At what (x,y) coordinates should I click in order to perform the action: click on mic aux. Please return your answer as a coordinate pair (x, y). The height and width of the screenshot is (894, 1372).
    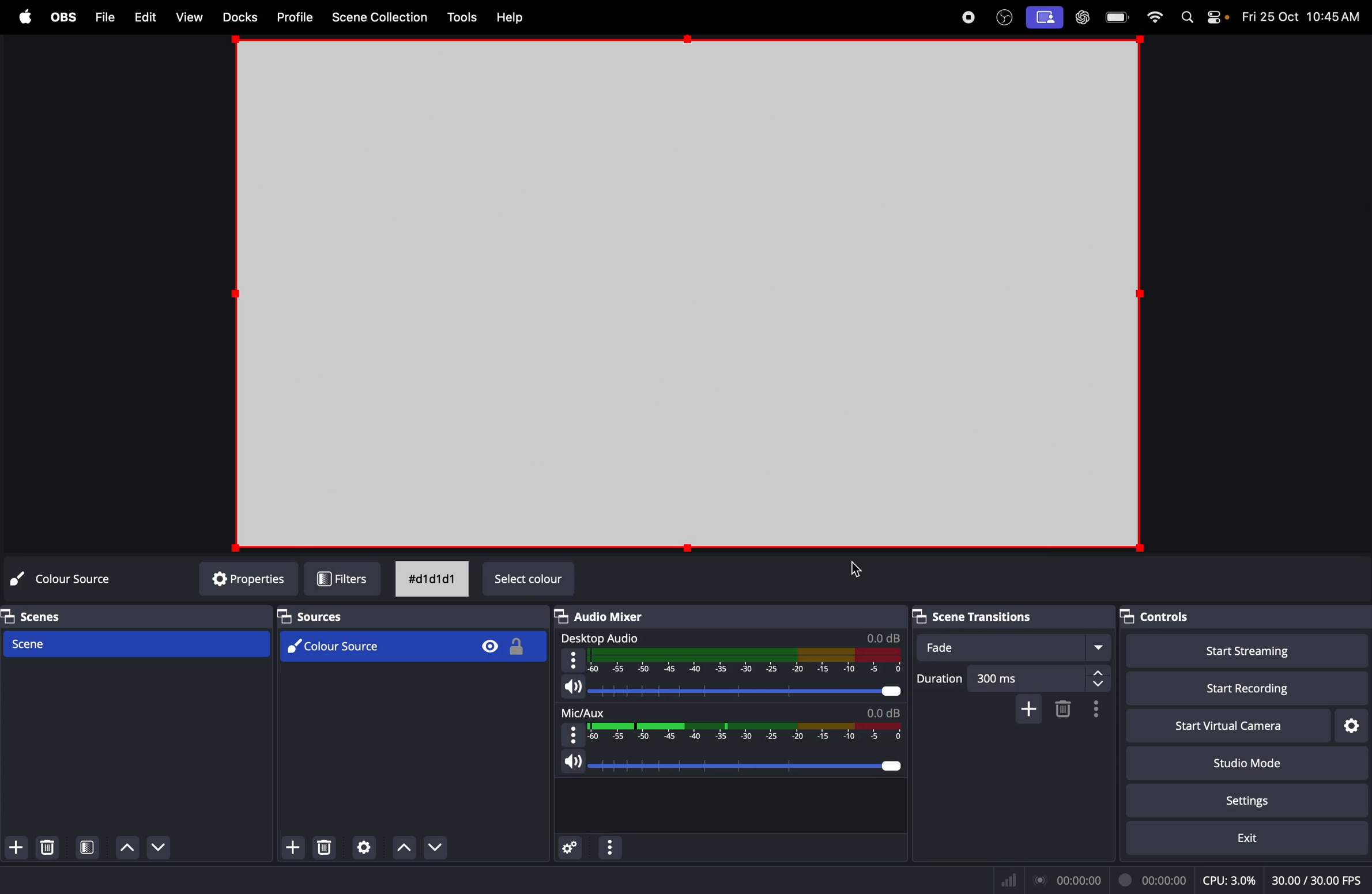
    Looking at the image, I should click on (585, 712).